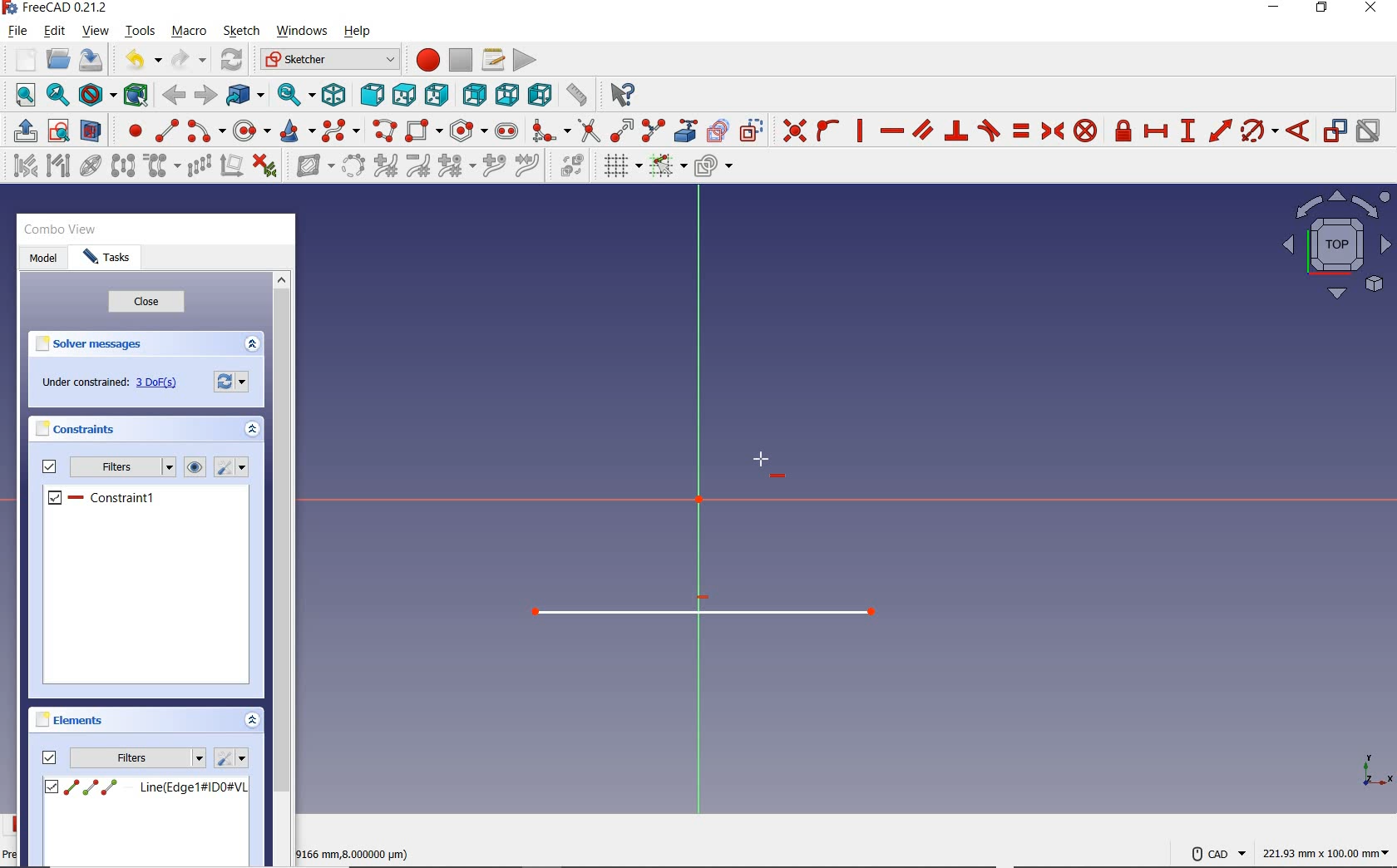  I want to click on TOGGLE SNAP, so click(667, 167).